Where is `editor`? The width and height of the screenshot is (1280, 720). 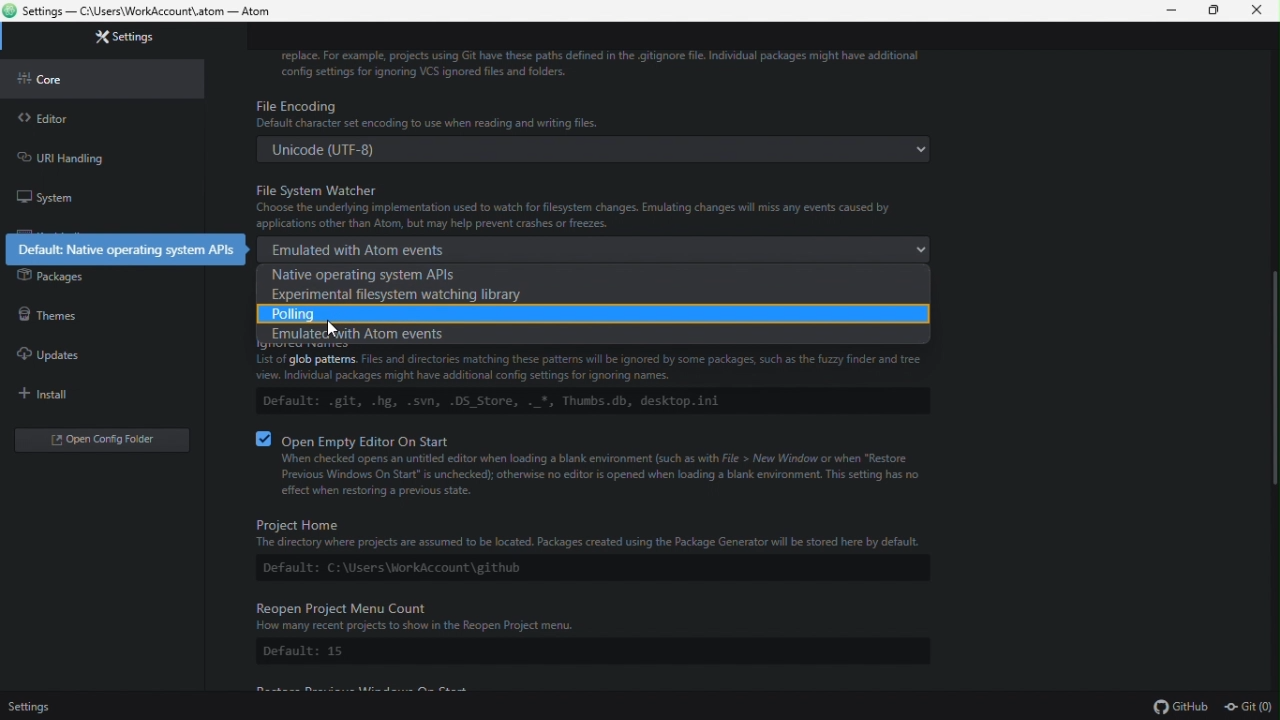
editor is located at coordinates (86, 122).